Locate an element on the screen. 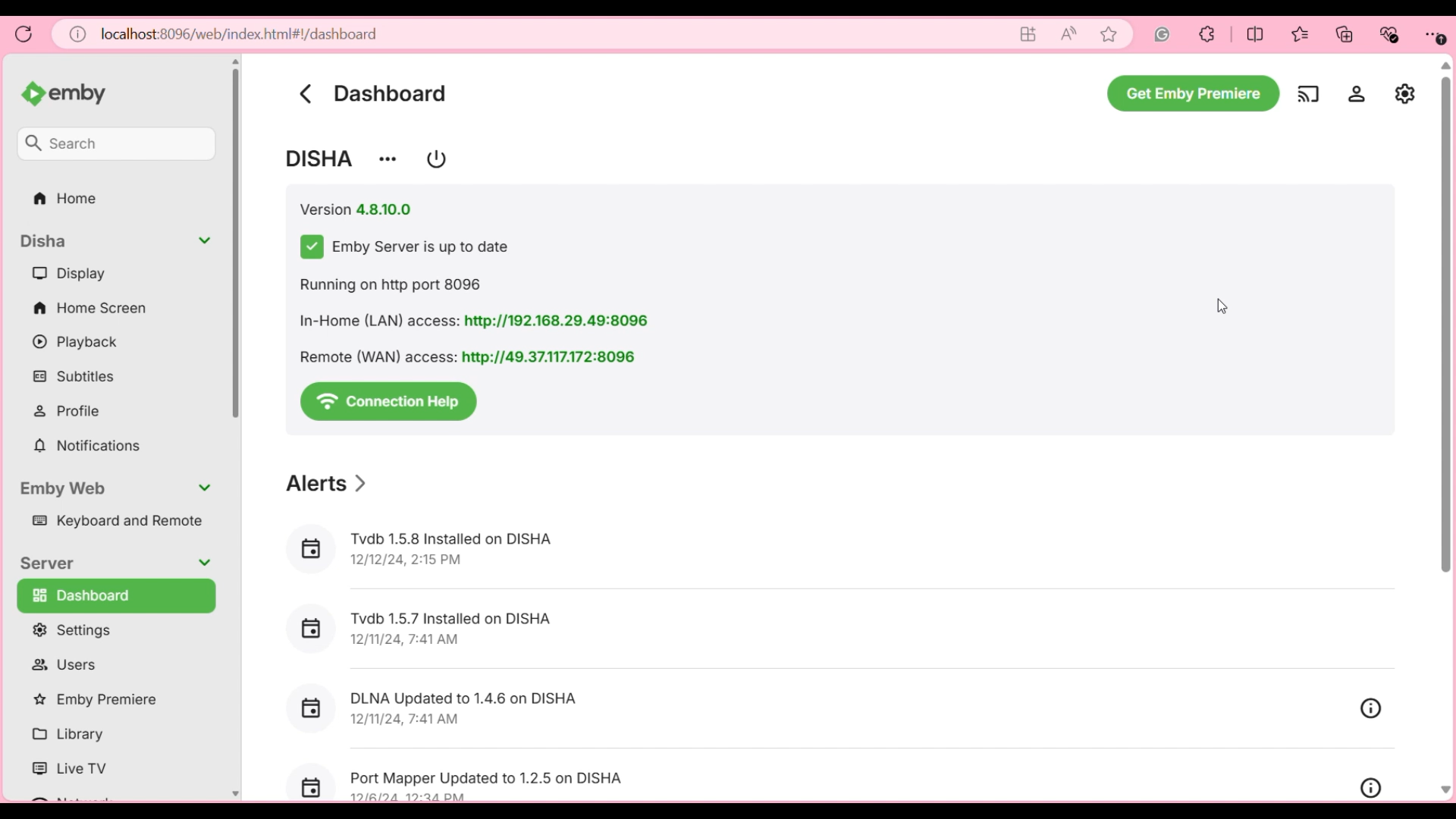  Settings is located at coordinates (110, 630).